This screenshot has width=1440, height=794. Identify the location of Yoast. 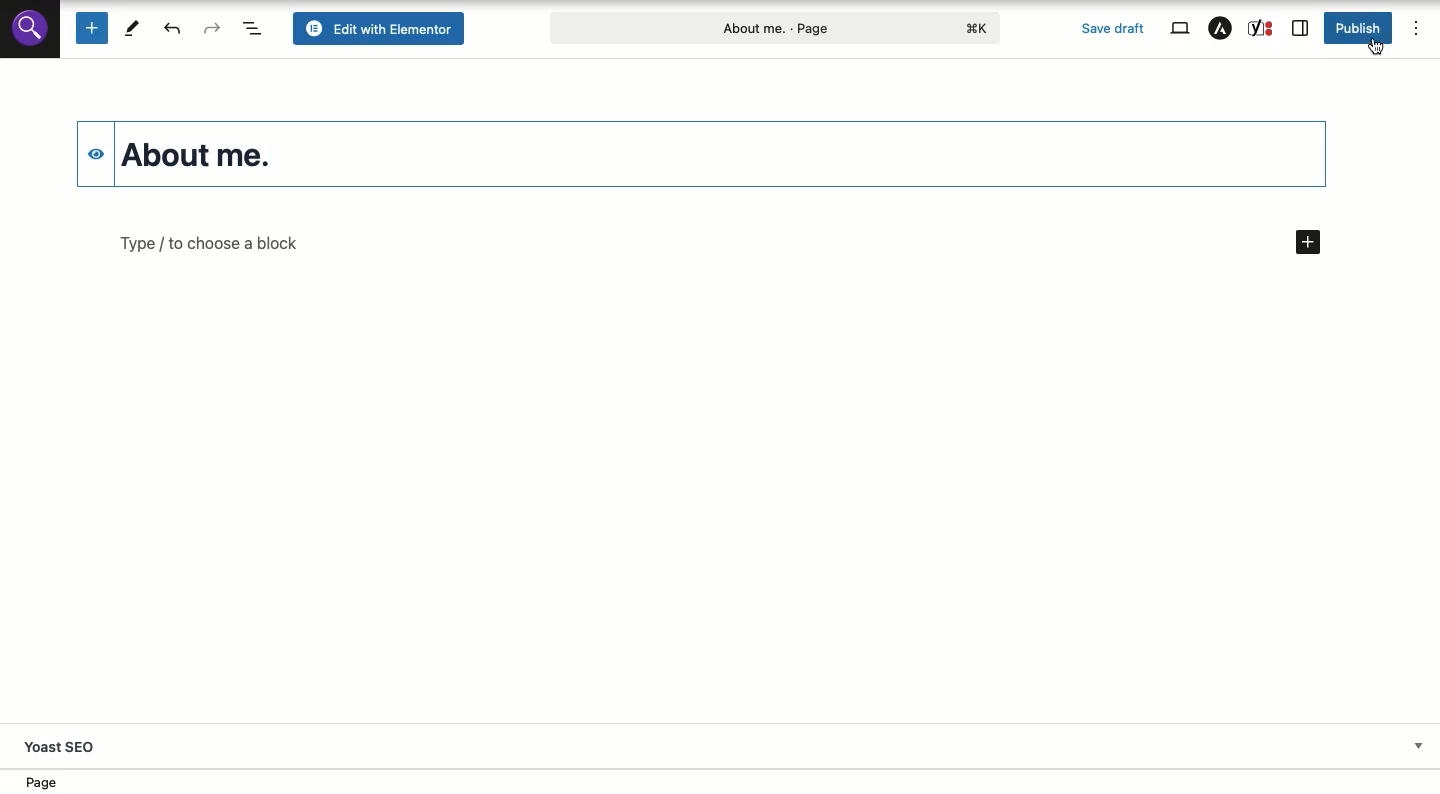
(1261, 28).